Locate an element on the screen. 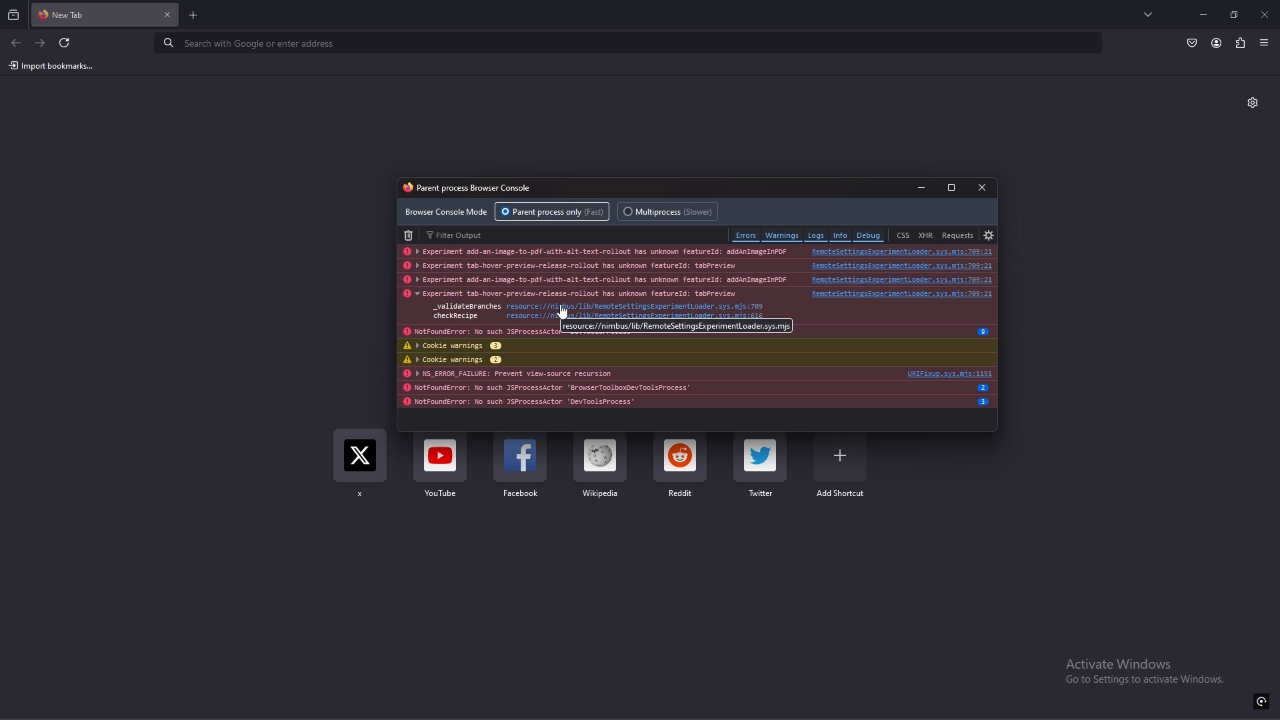 The image size is (1280, 720). info is located at coordinates (982, 401).